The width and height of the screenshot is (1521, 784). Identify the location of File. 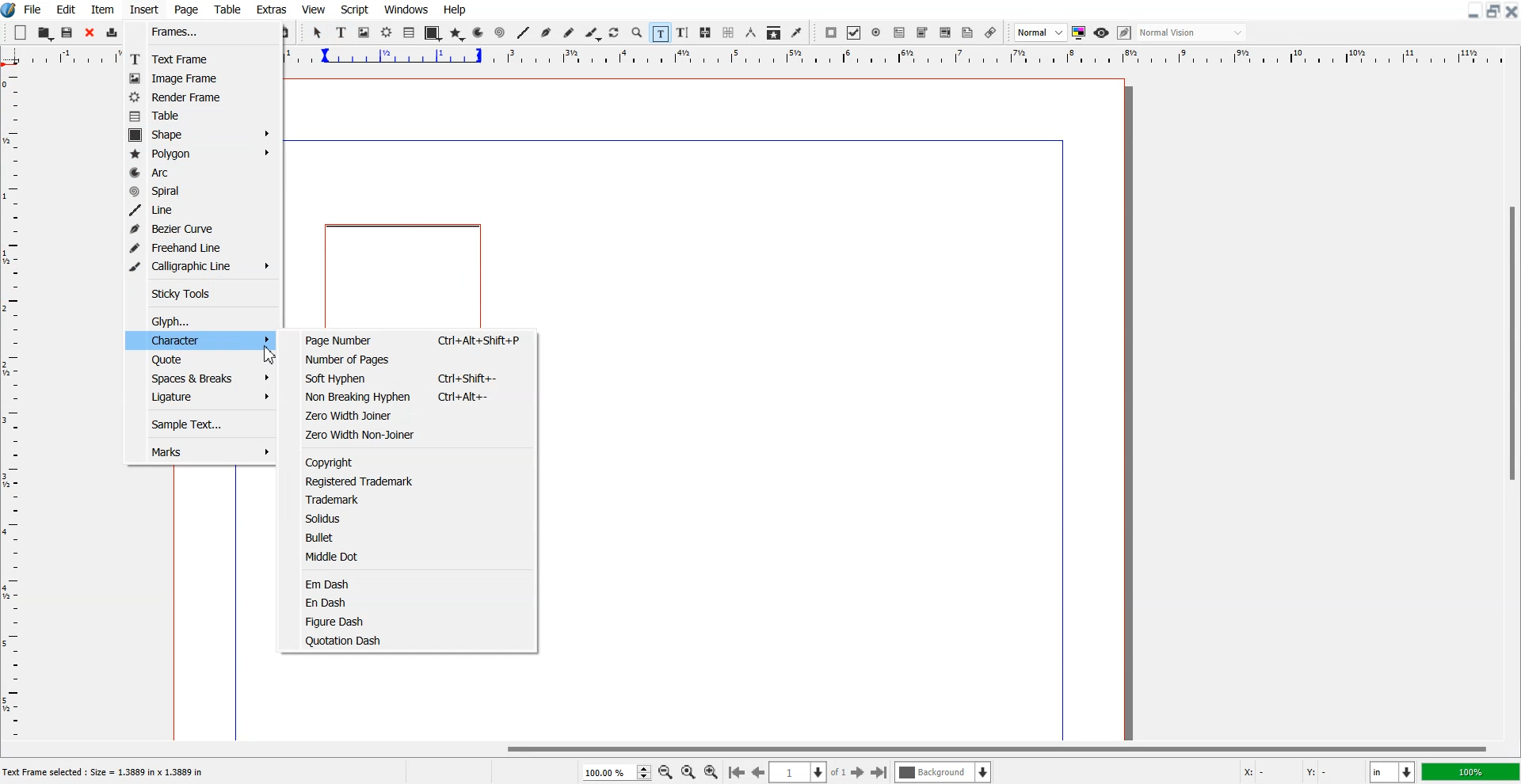
(34, 9).